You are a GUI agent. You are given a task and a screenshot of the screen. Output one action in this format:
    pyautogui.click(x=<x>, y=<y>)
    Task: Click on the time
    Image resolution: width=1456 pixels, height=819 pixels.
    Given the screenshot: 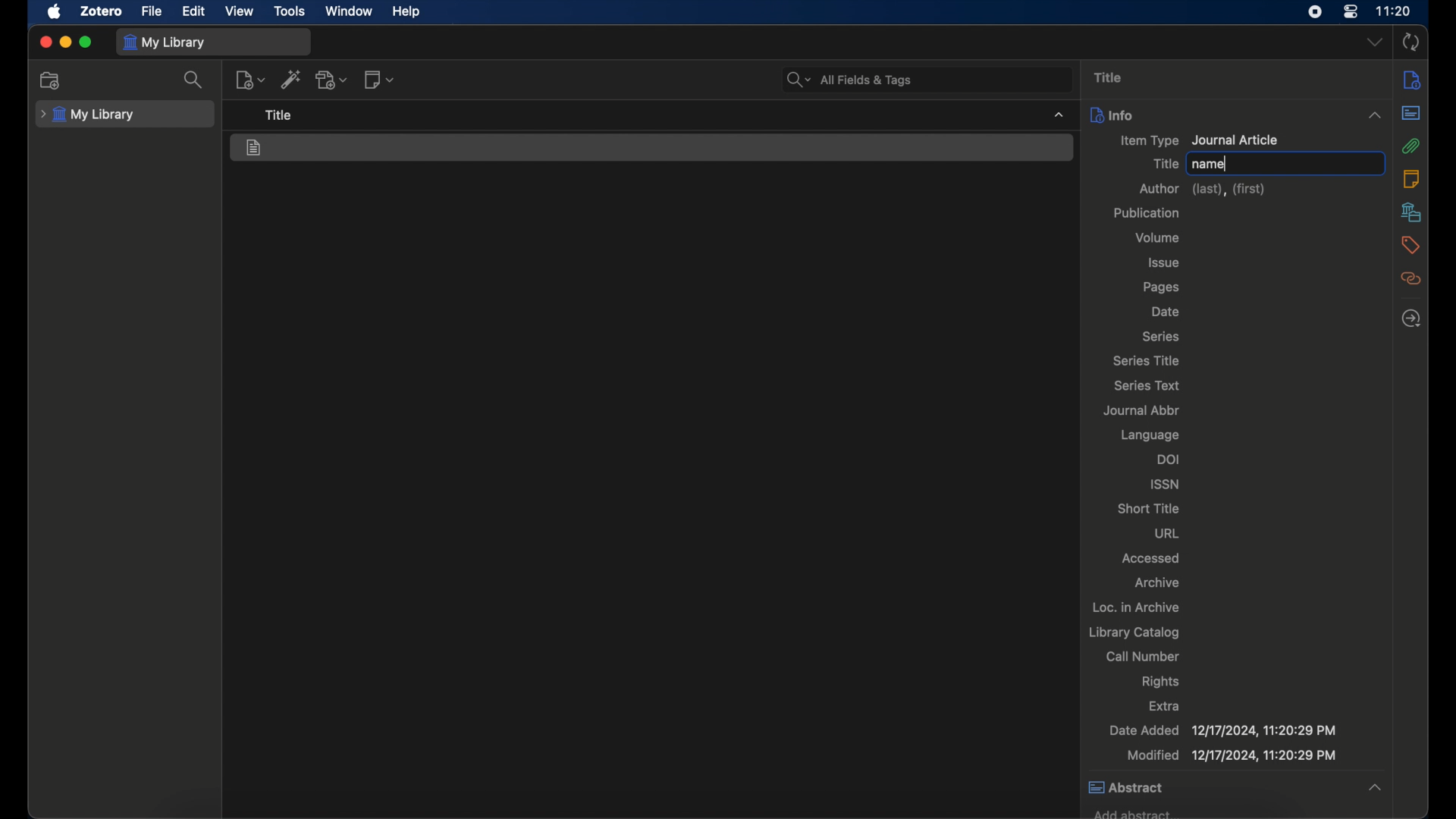 What is the action you would take?
    pyautogui.click(x=1395, y=11)
    